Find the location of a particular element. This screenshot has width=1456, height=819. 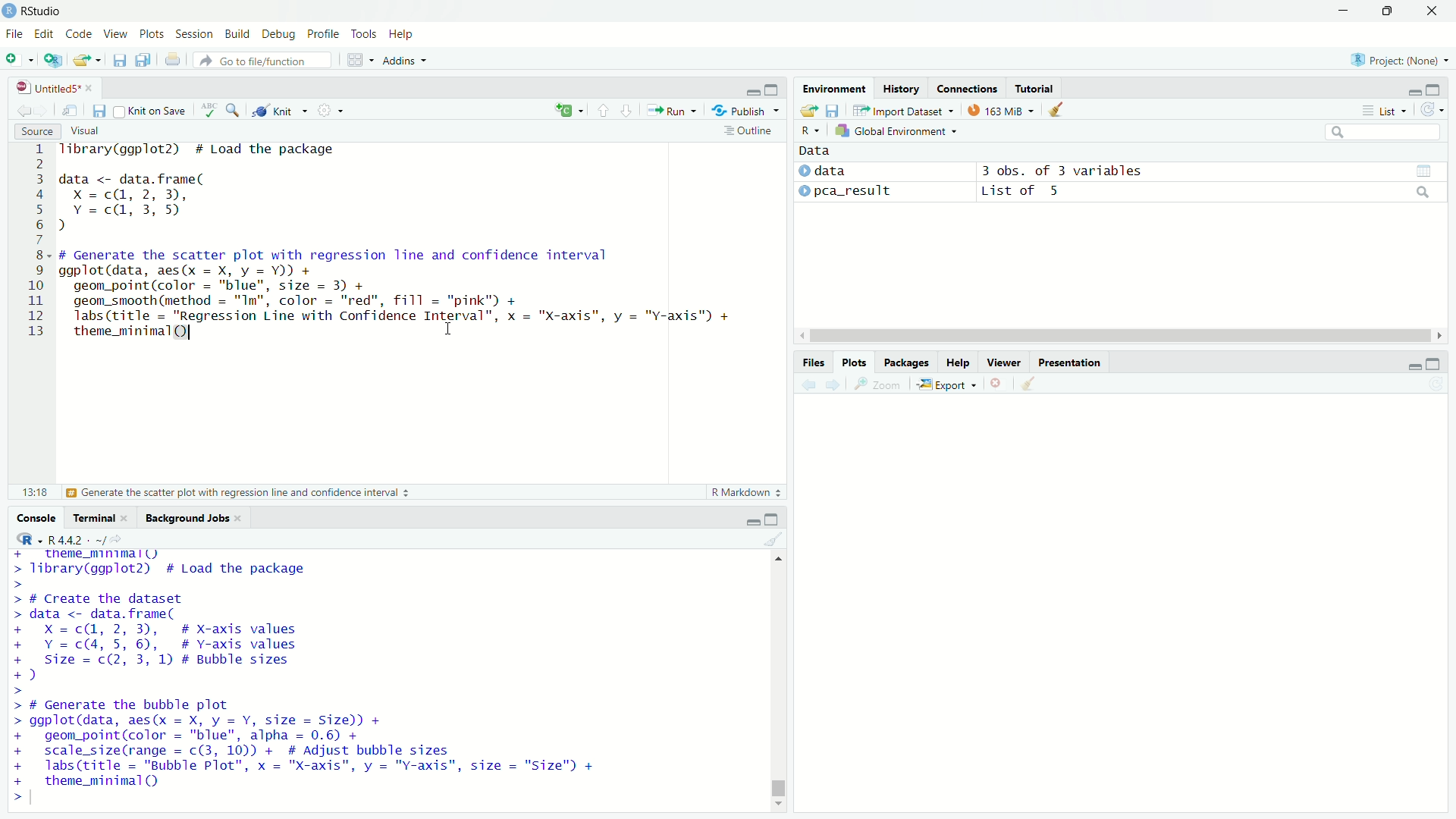

R is located at coordinates (26, 539).